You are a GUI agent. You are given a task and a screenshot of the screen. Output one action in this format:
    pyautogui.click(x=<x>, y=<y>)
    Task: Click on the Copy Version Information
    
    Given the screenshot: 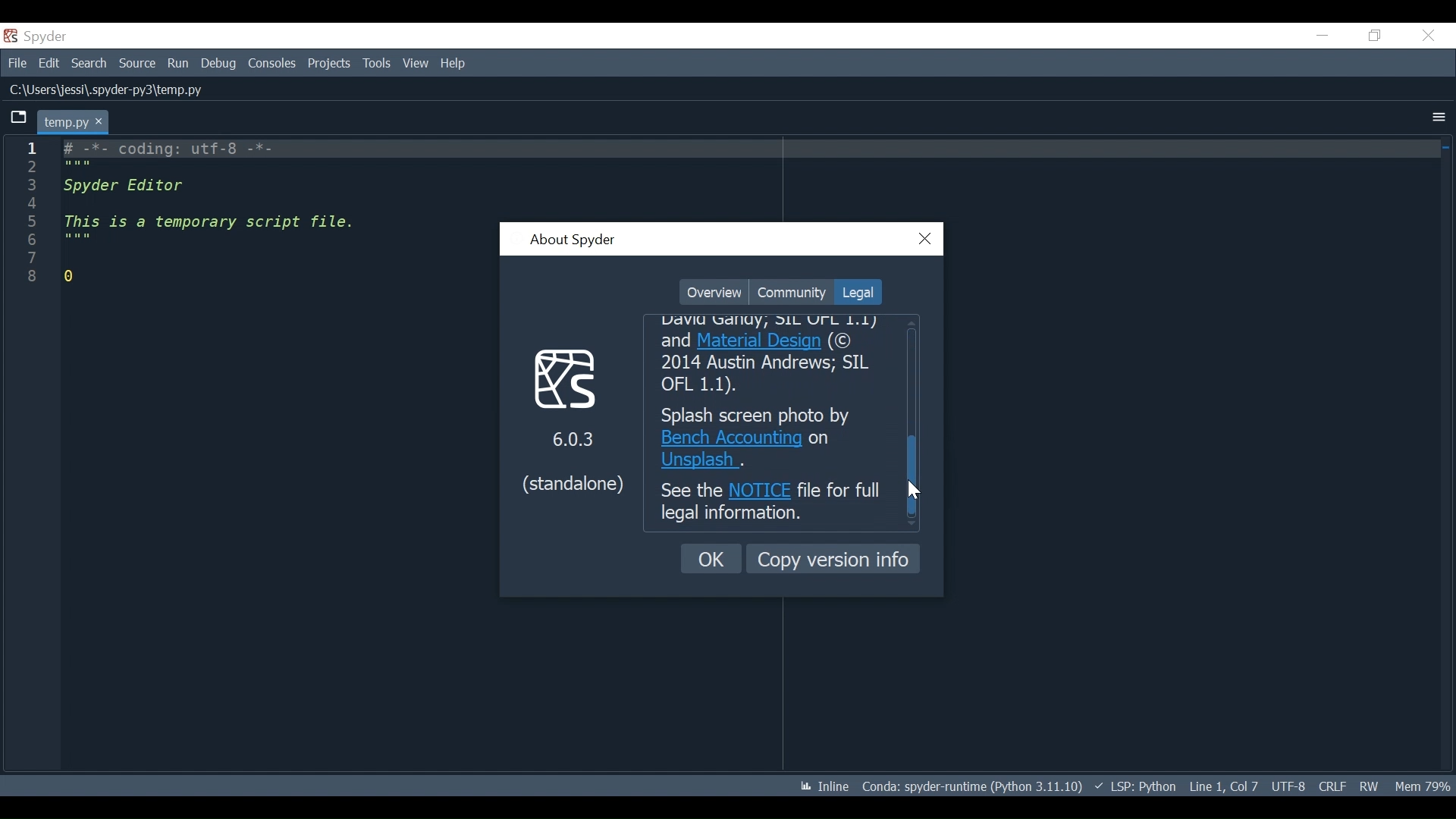 What is the action you would take?
    pyautogui.click(x=833, y=558)
    